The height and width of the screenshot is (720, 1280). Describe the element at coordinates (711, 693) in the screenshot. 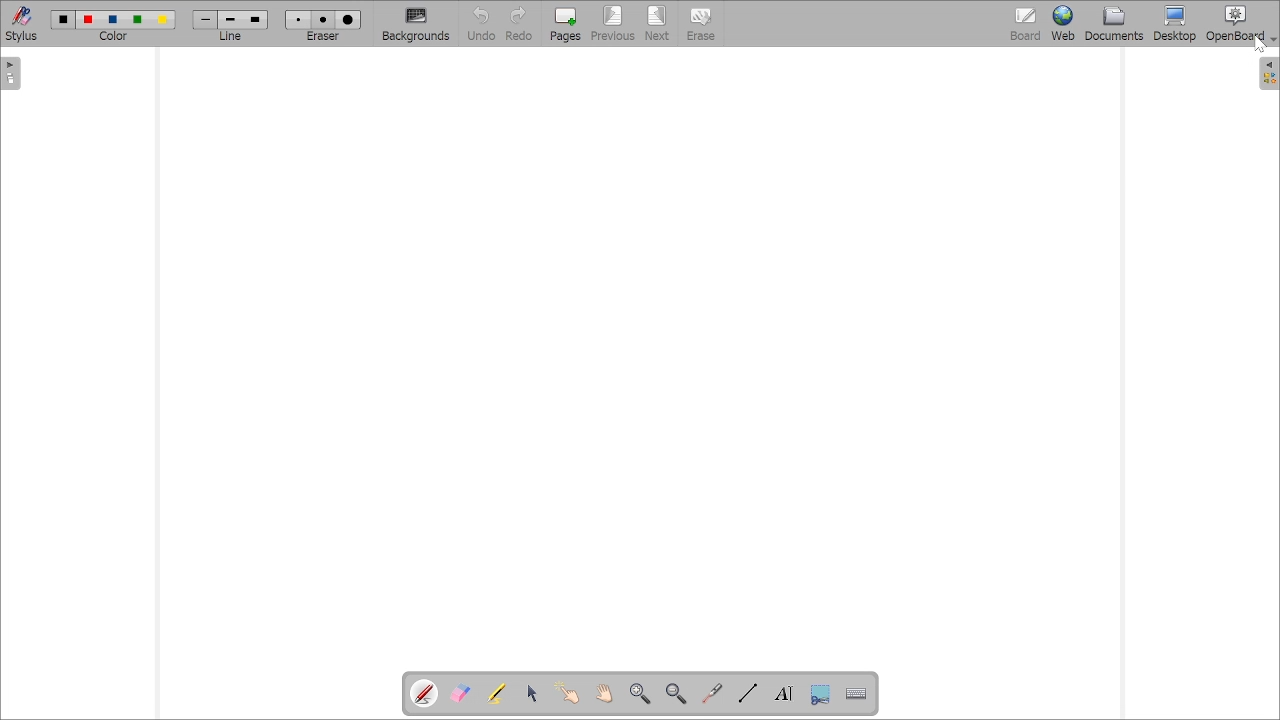

I see `Virtual laser pointer` at that location.